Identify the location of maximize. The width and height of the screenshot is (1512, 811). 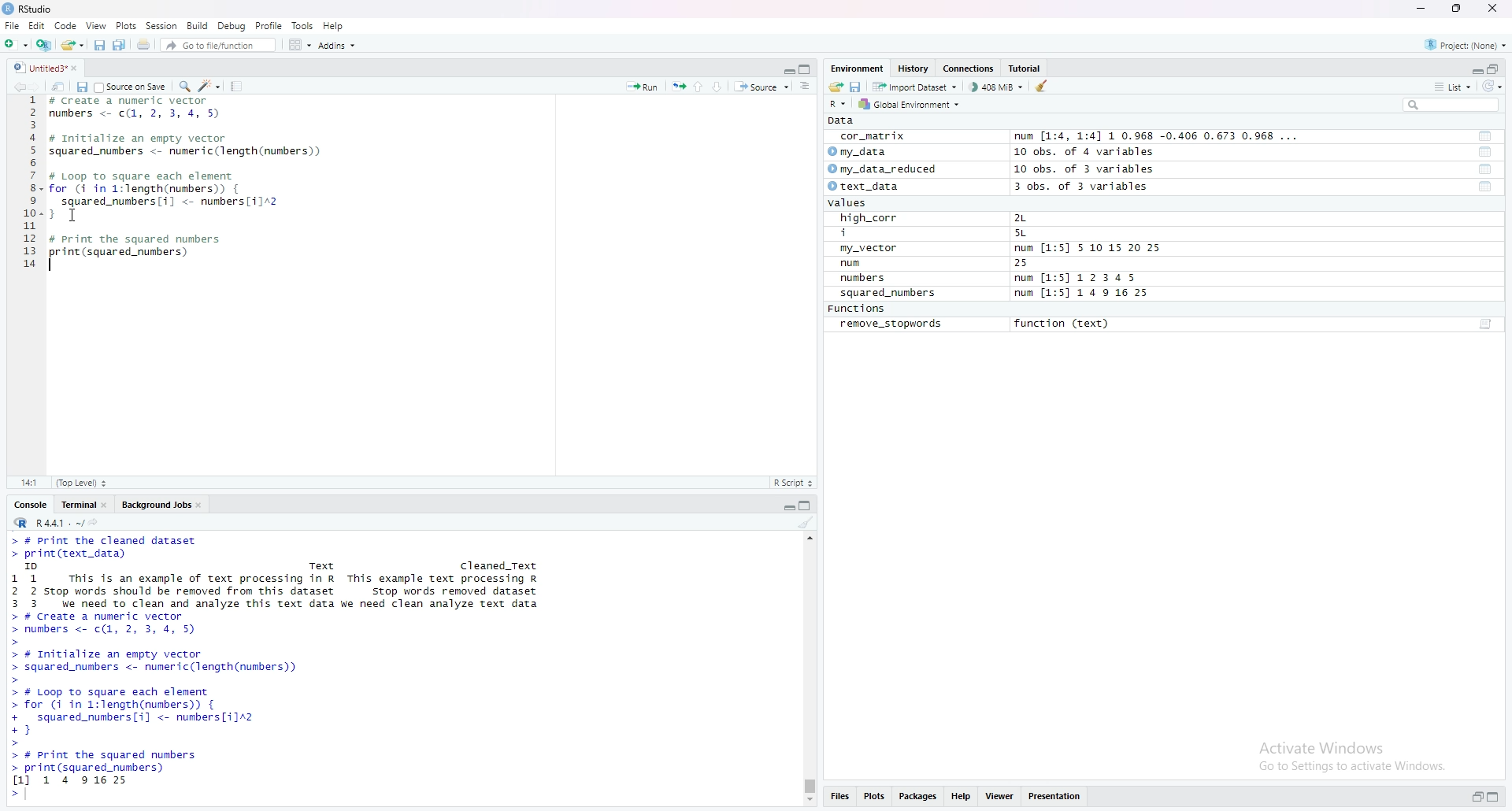
(1458, 9).